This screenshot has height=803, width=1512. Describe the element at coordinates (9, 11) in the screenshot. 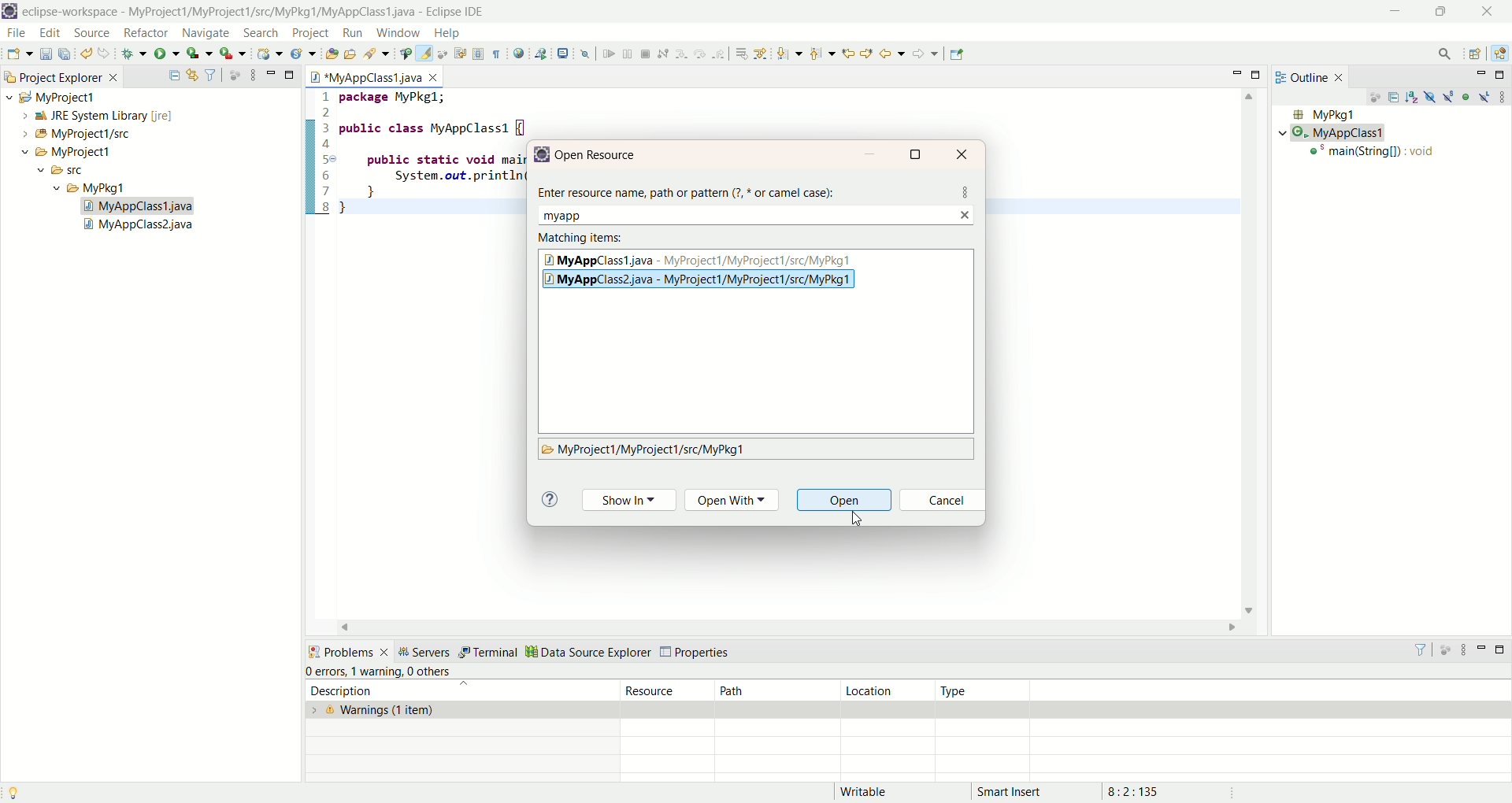

I see `eclipse logo` at that location.